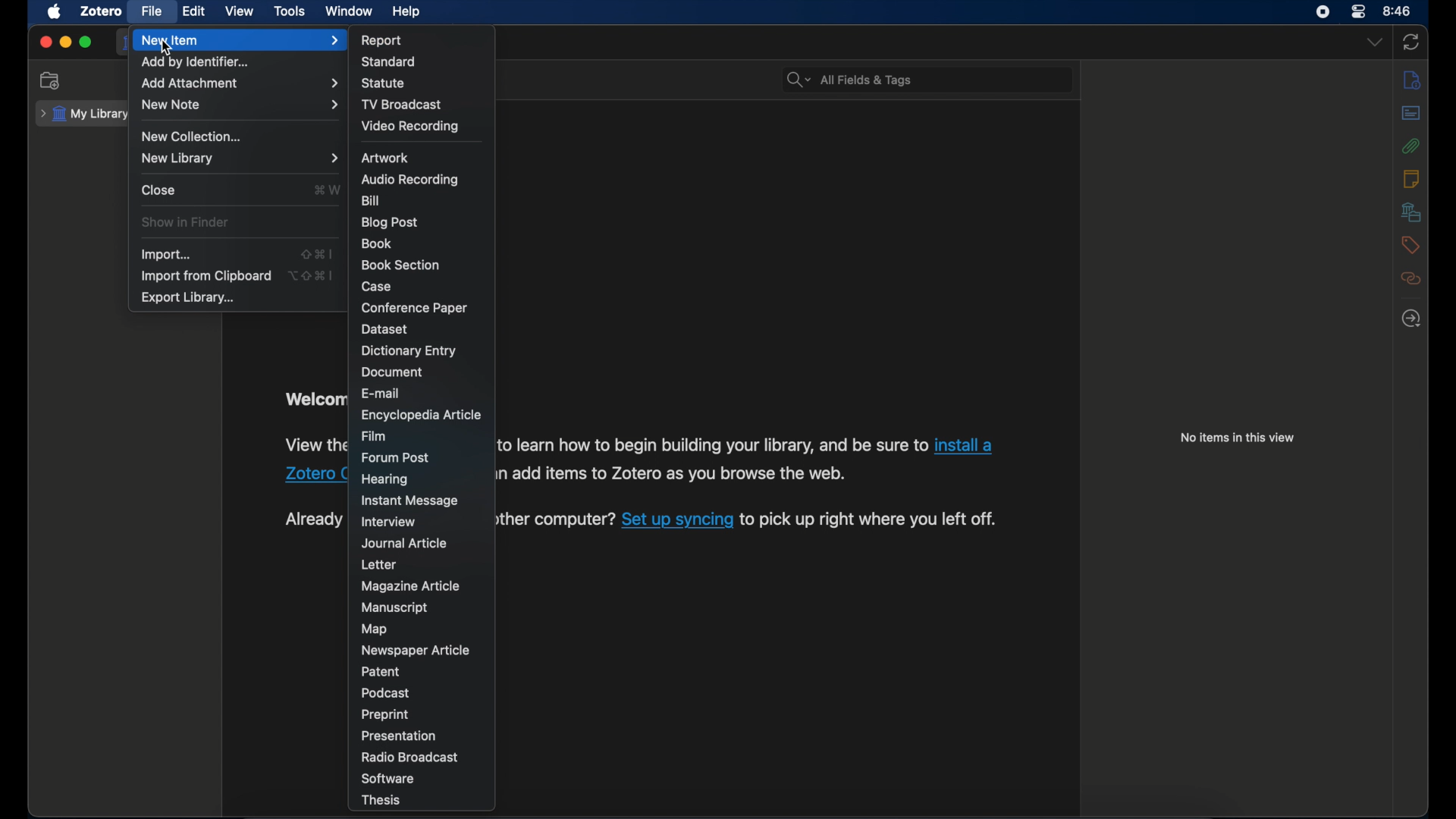 The width and height of the screenshot is (1456, 819). I want to click on dataset, so click(383, 329).